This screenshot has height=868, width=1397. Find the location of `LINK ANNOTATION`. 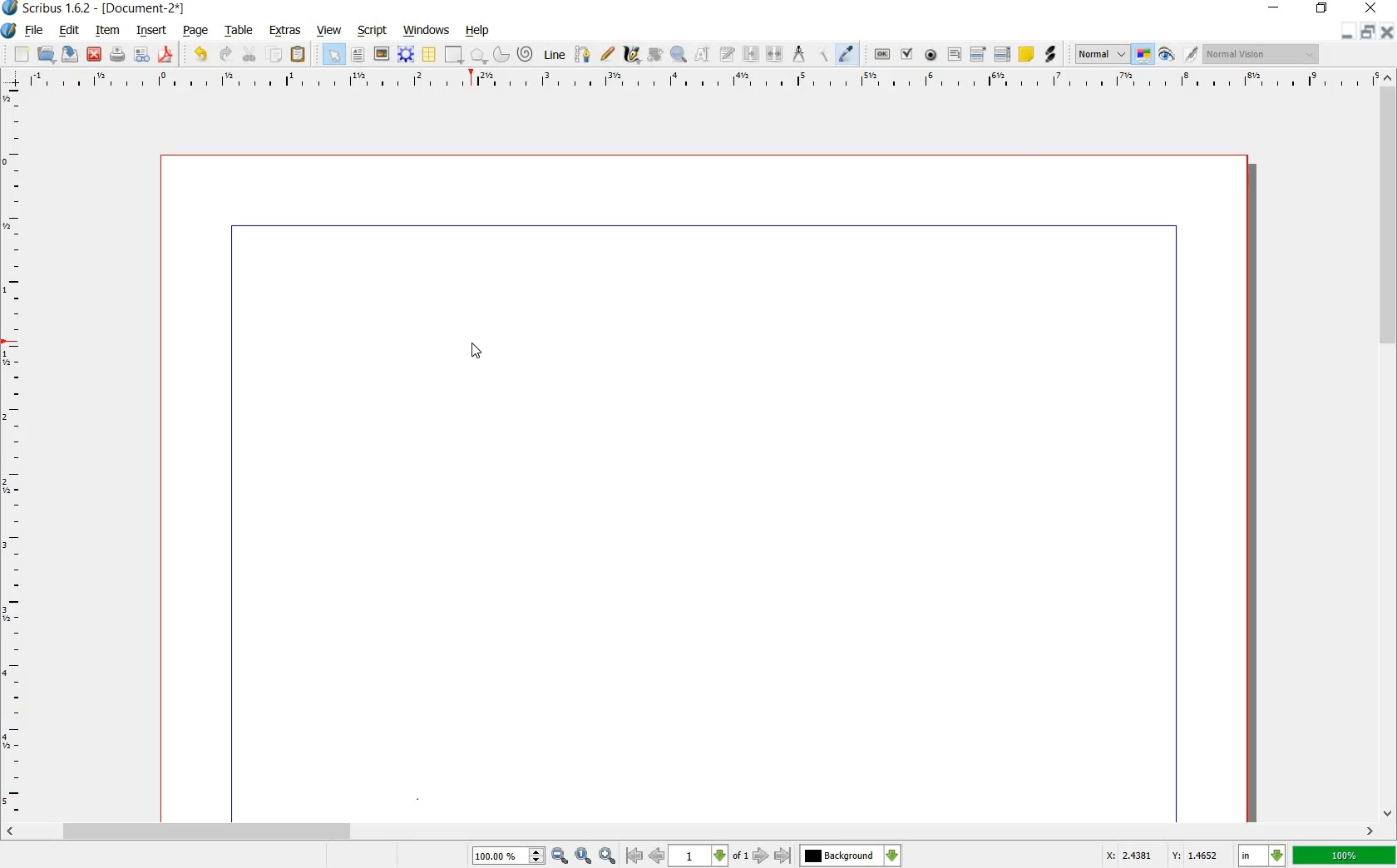

LINK ANNOTATION is located at coordinates (1051, 55).